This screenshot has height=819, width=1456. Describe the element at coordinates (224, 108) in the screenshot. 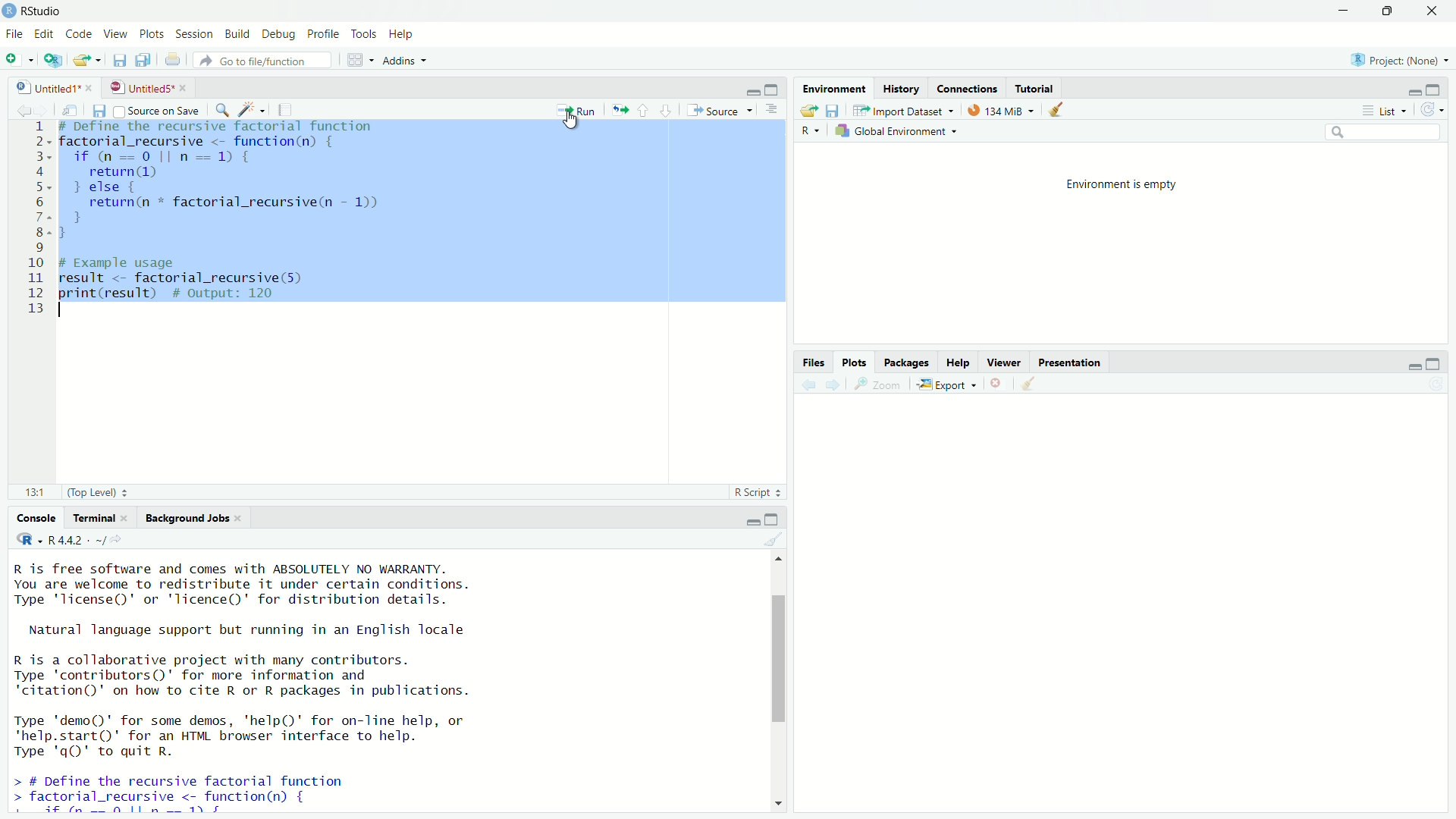

I see `Find/Replace` at that location.